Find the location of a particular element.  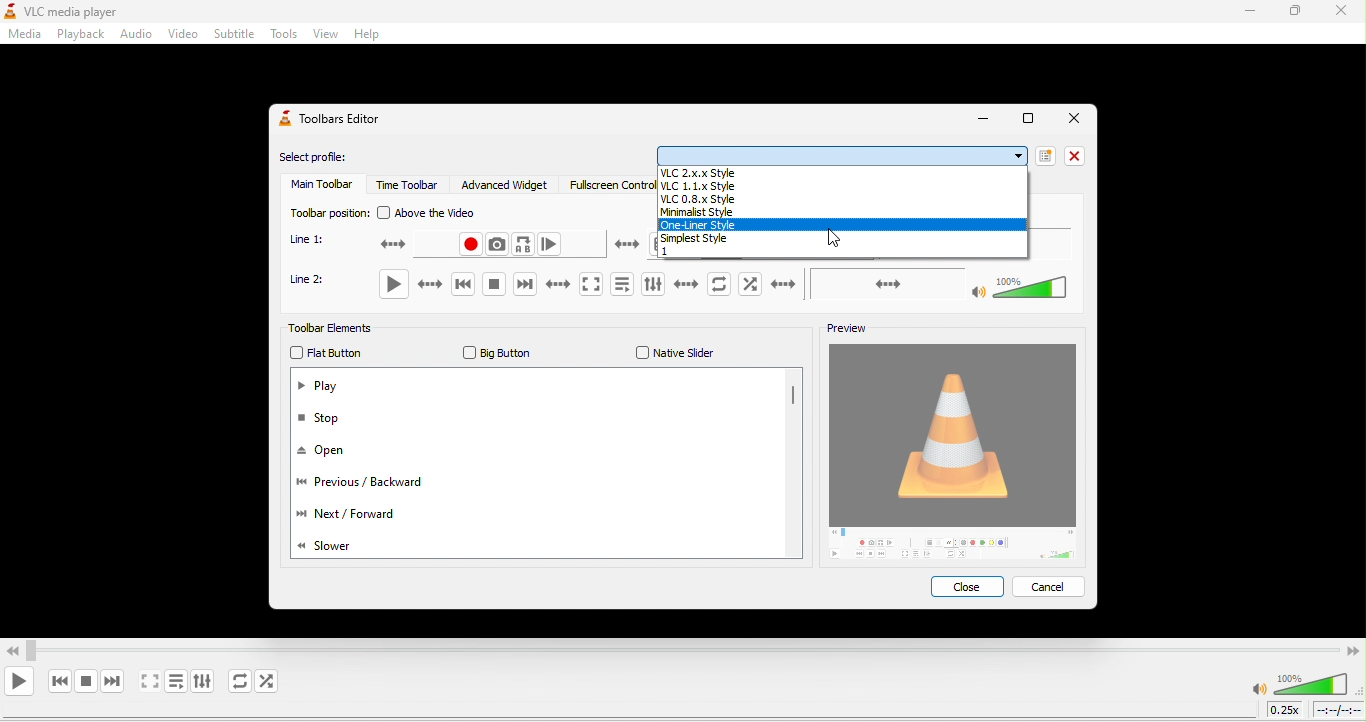

toolbars editor is located at coordinates (340, 124).